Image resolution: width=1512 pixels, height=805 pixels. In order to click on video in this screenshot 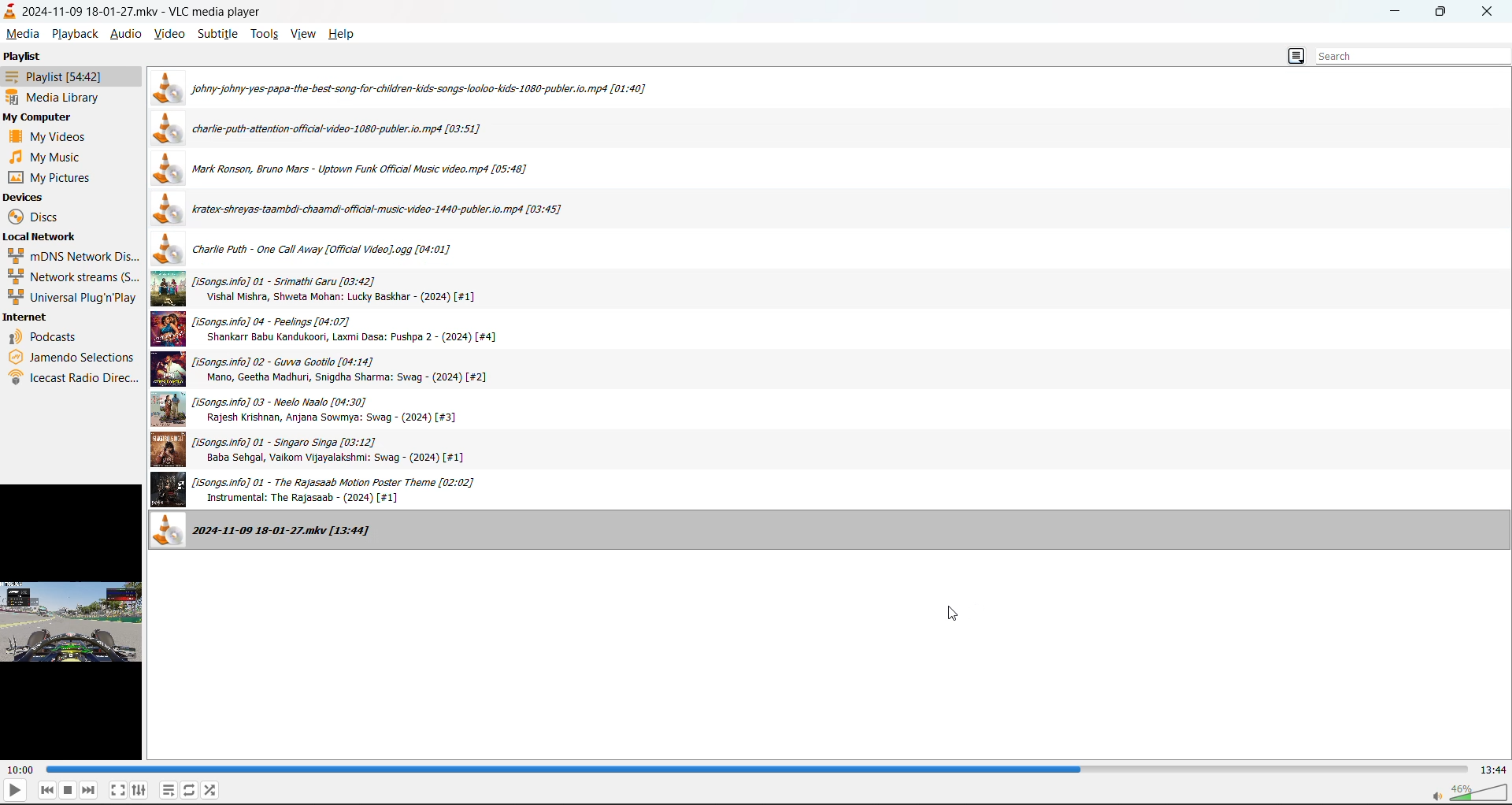, I will do `click(172, 33)`.